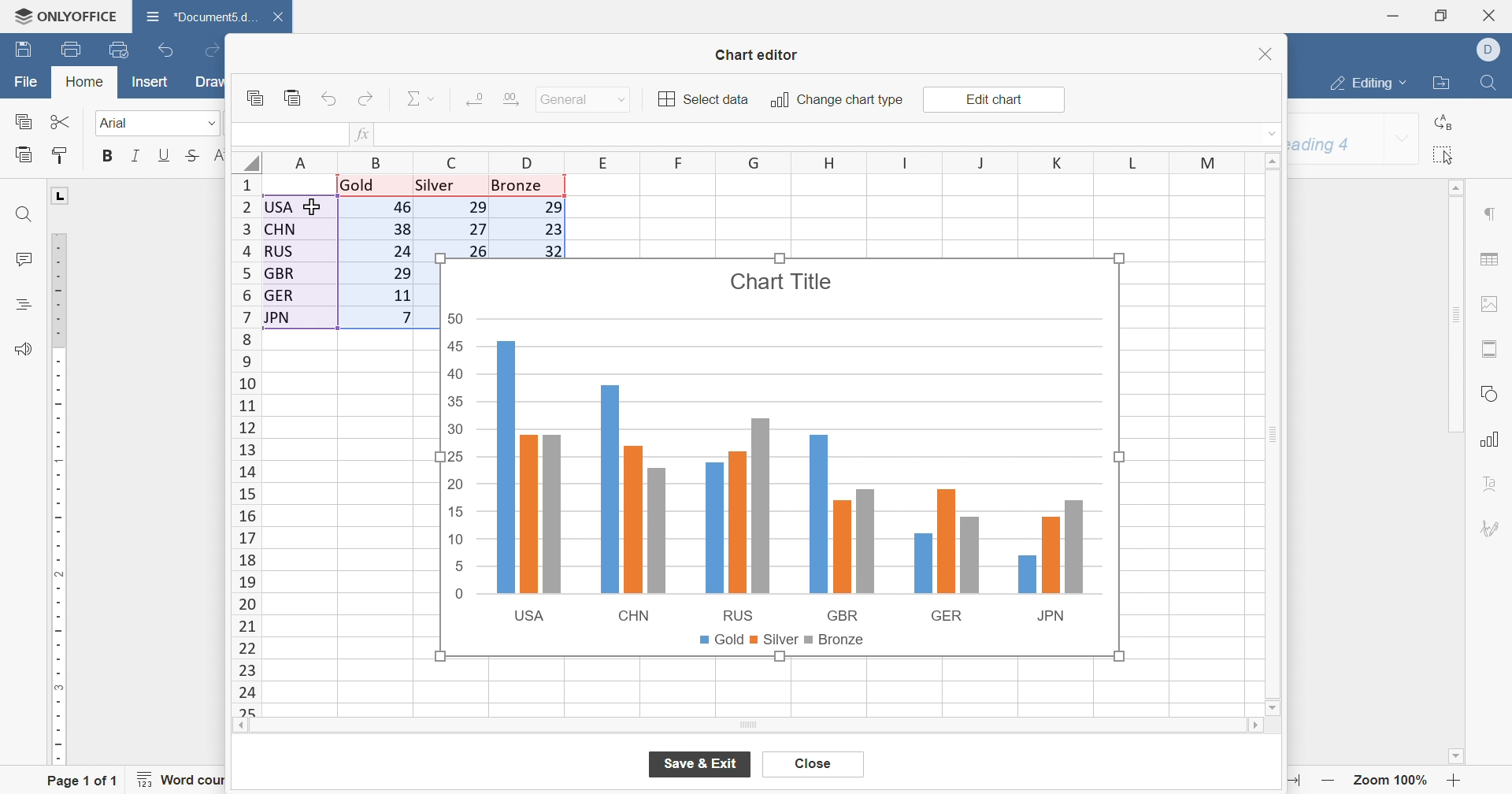 The image size is (1512, 794). I want to click on scroll bar, so click(1269, 435).